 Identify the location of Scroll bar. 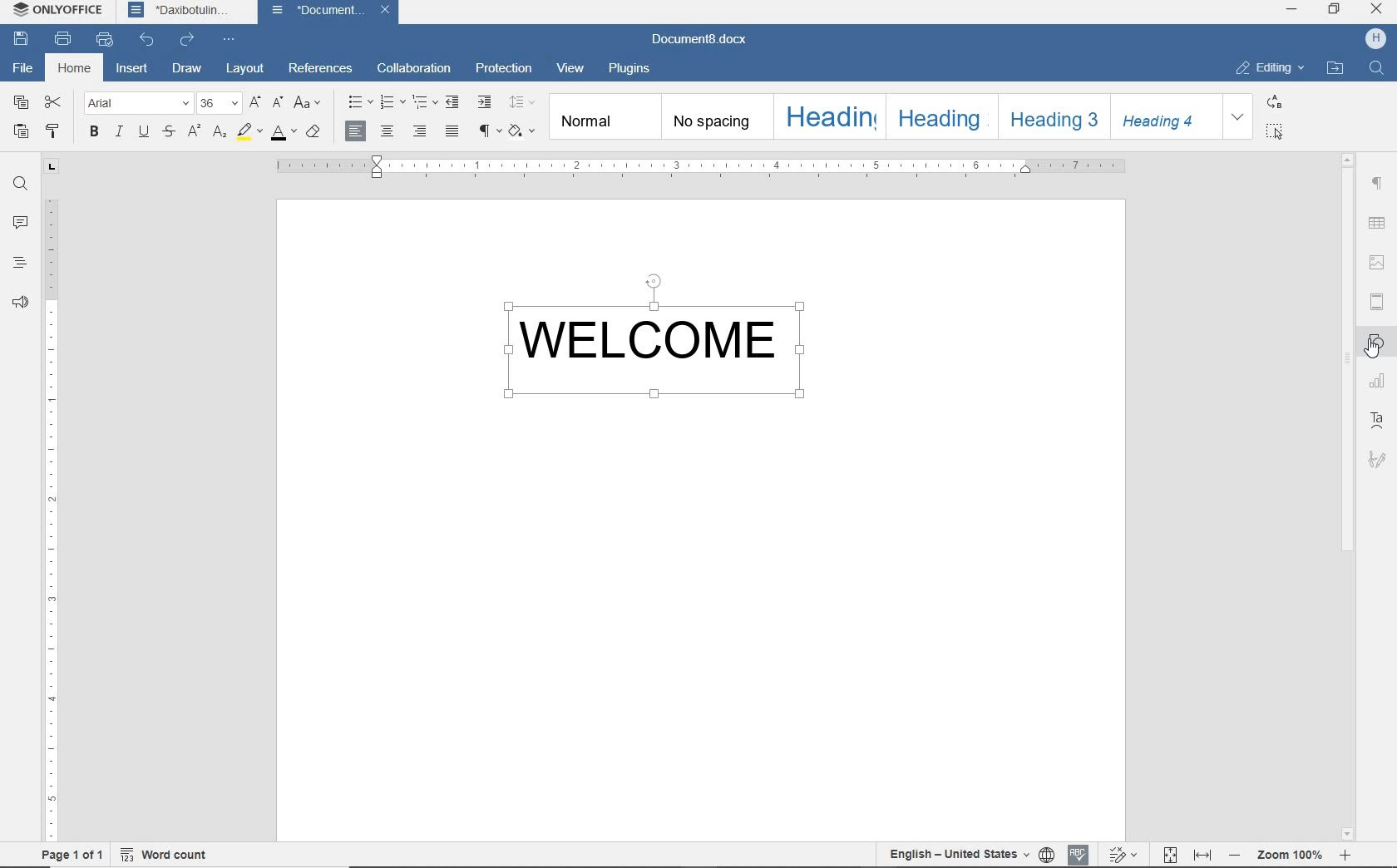
(1345, 360).